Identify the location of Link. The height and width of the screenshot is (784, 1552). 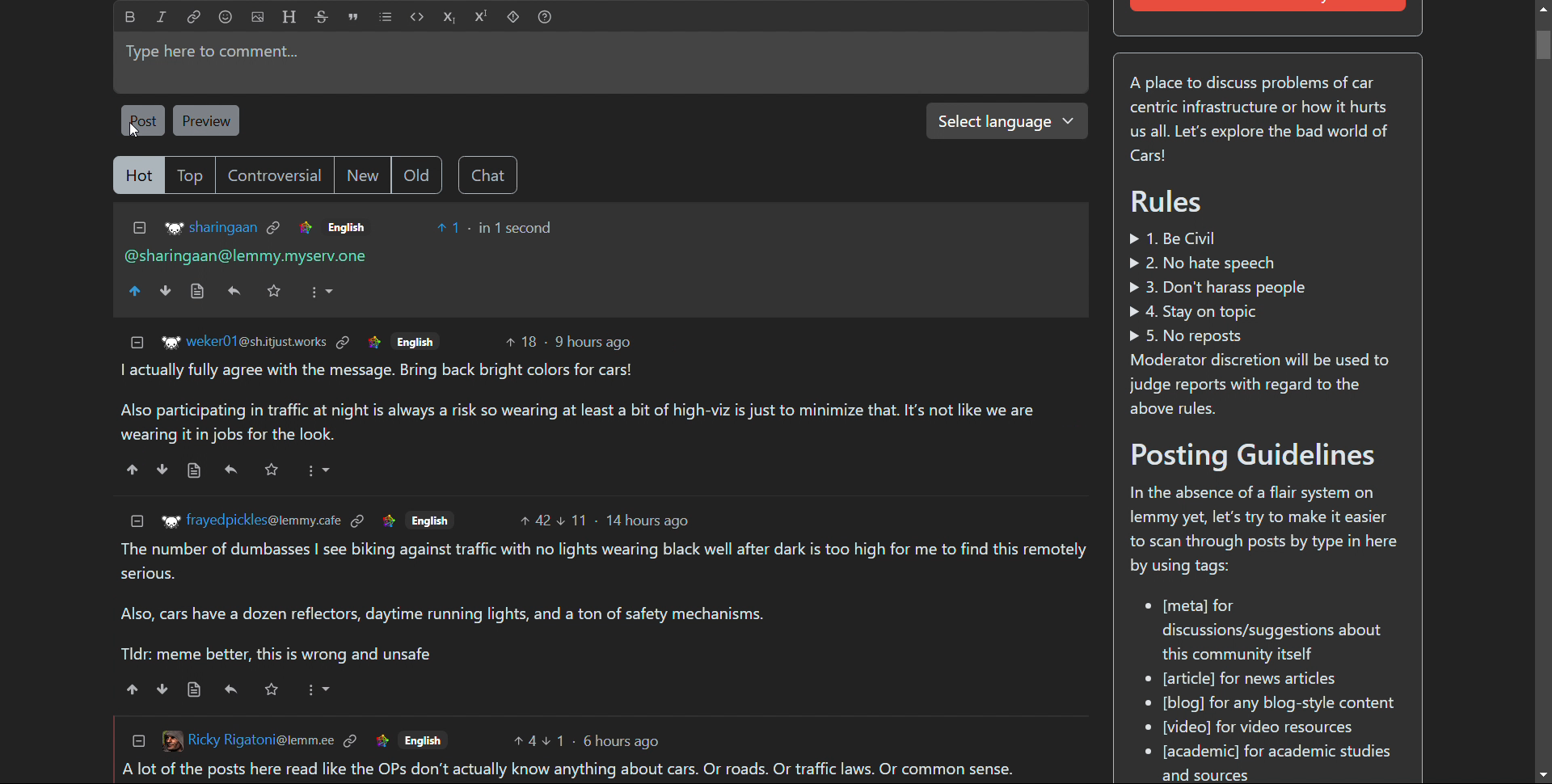
(345, 343).